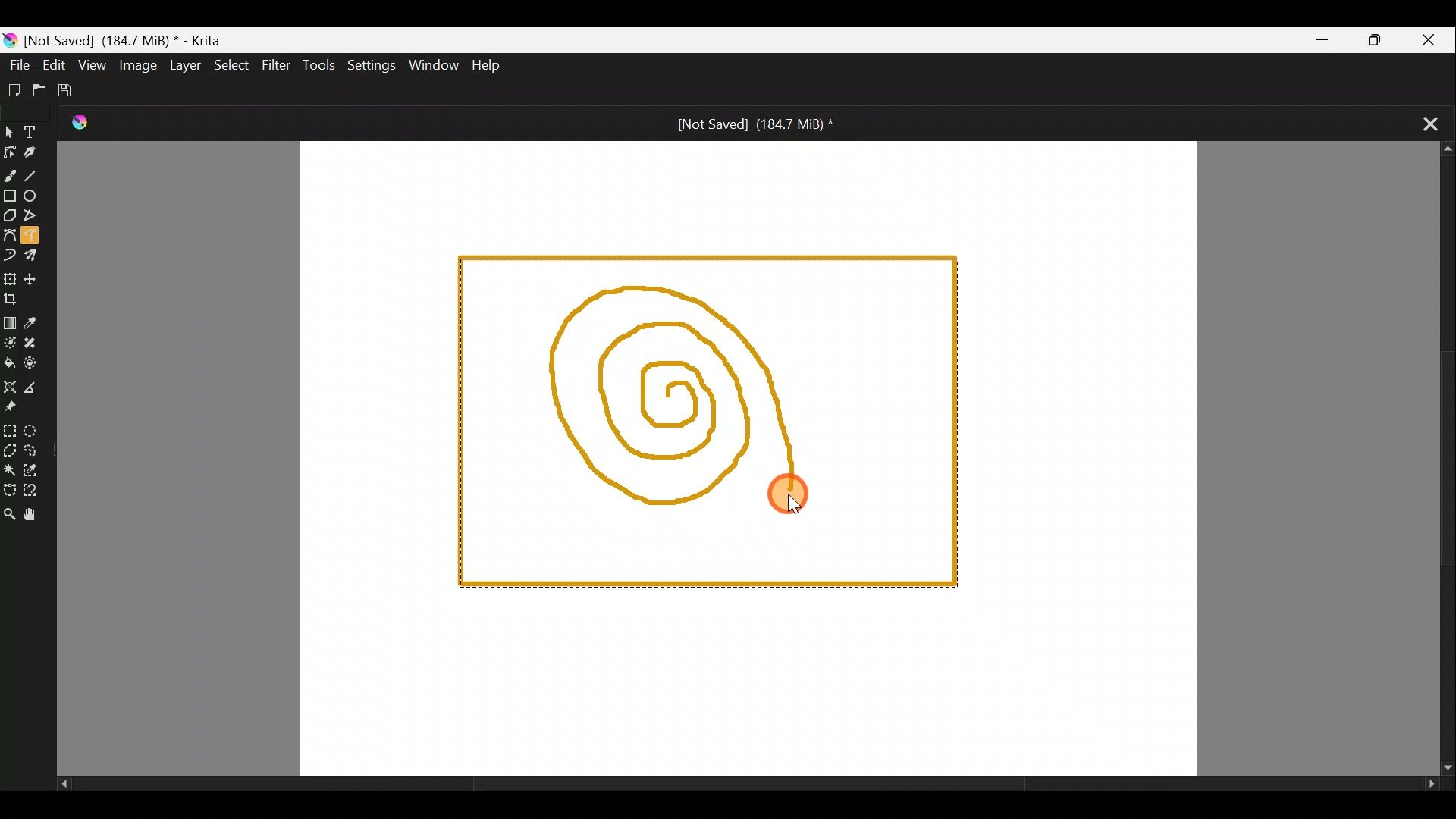 This screenshot has height=819, width=1456. I want to click on Dynamic brush tool, so click(10, 256).